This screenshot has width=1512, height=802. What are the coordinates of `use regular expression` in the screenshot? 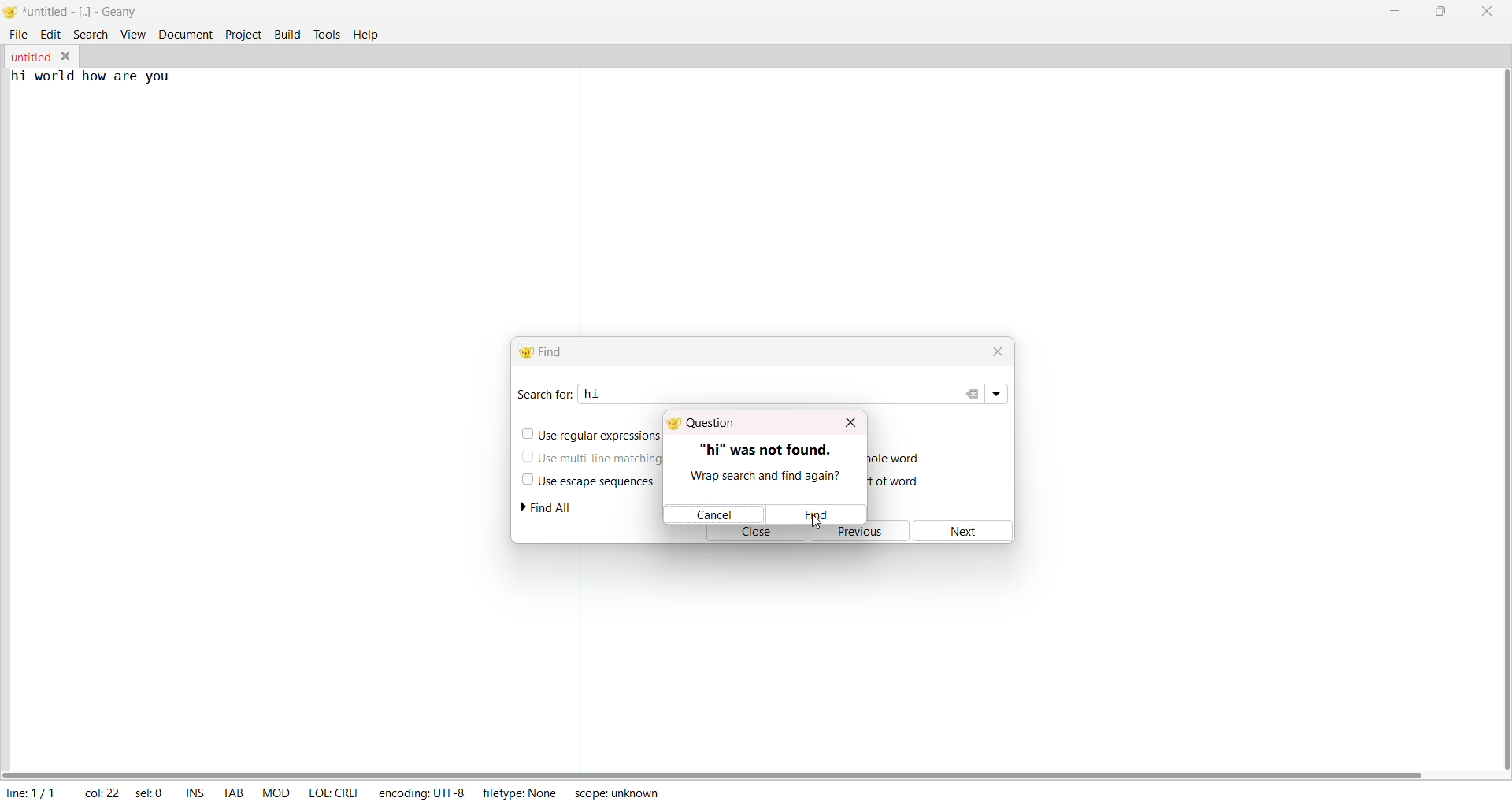 It's located at (592, 433).